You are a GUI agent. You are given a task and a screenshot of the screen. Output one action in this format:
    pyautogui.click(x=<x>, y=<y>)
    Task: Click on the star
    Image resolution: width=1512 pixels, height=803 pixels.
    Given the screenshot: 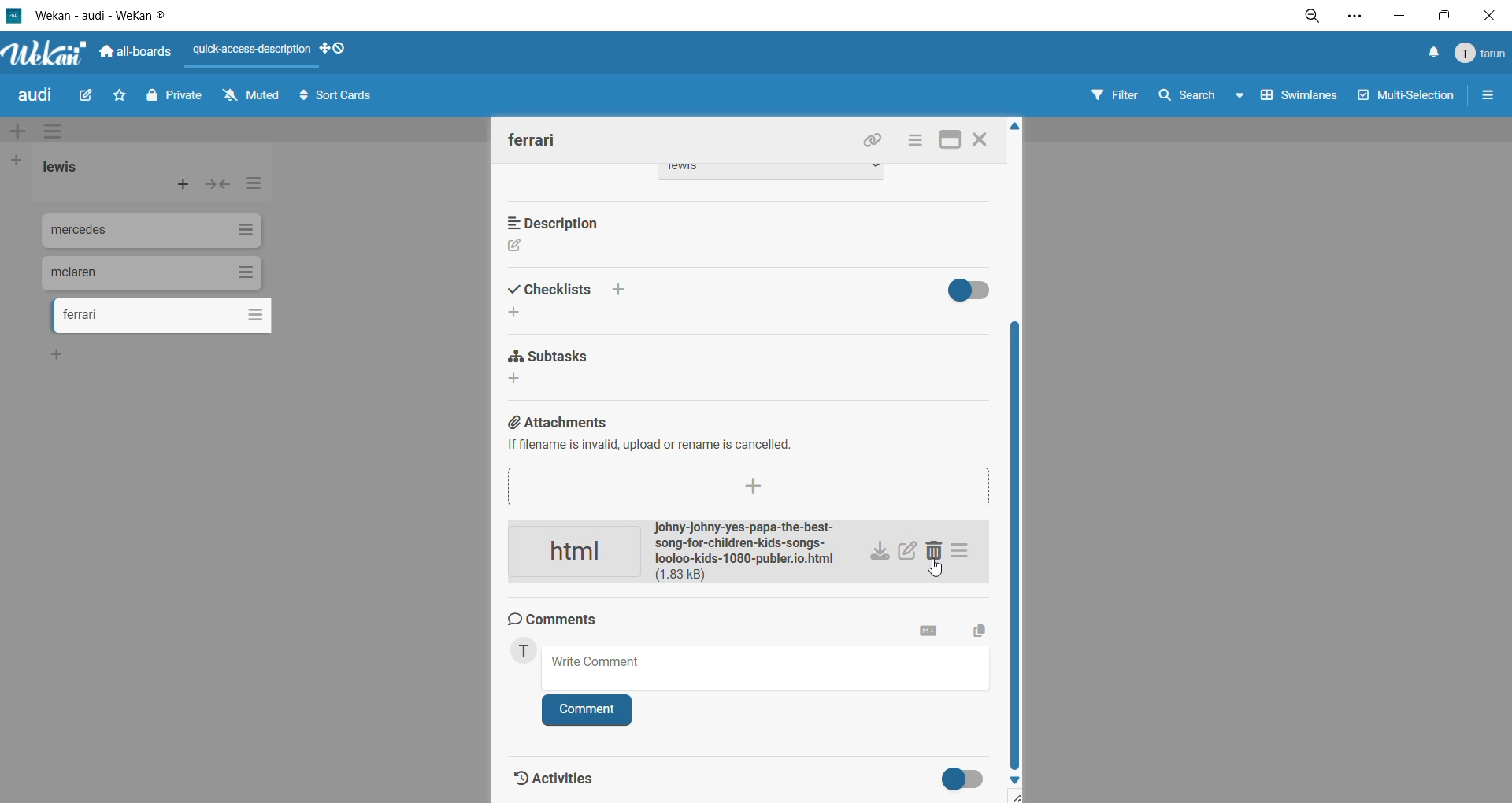 What is the action you would take?
    pyautogui.click(x=123, y=94)
    